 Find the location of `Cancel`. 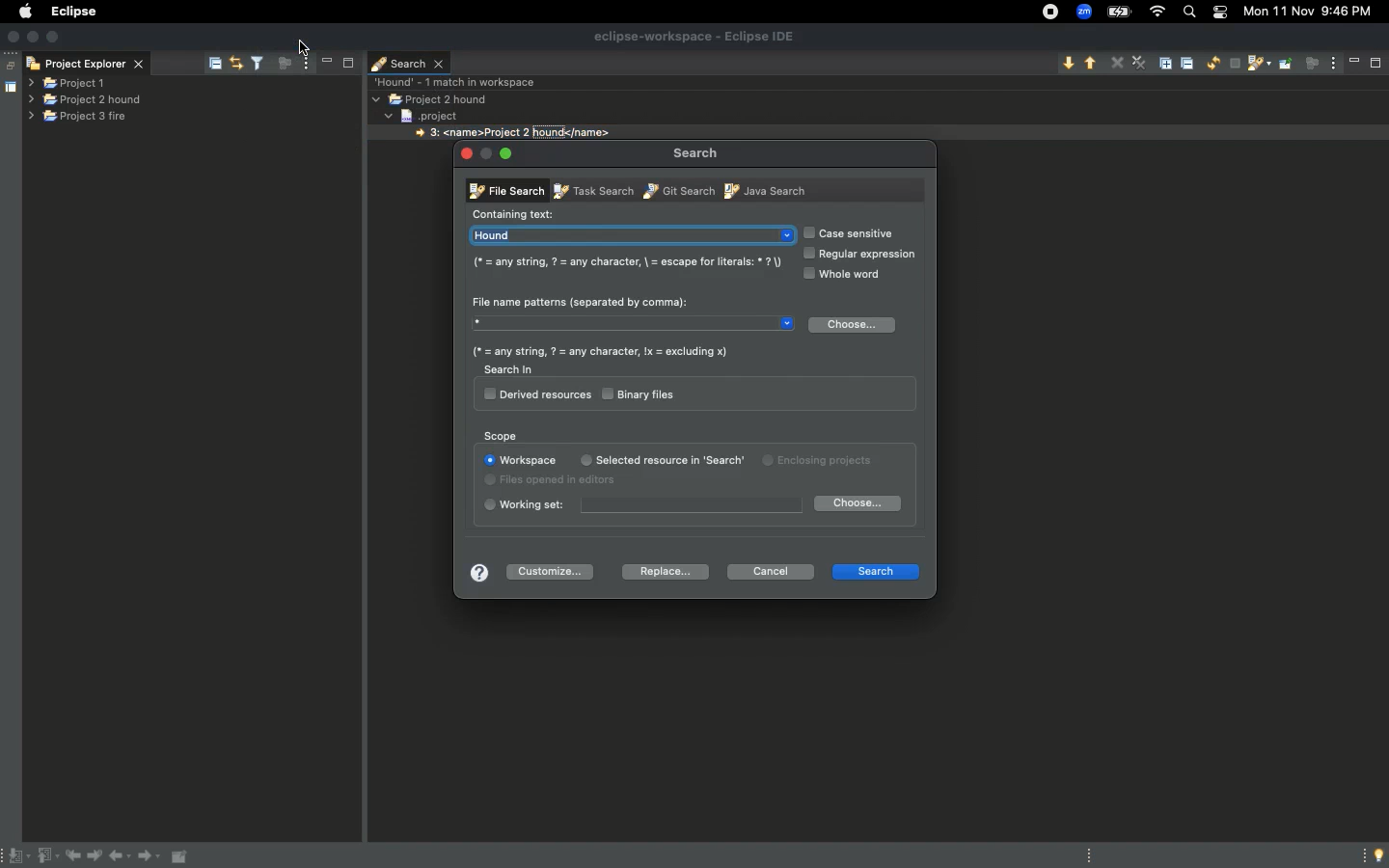

Cancel is located at coordinates (771, 573).